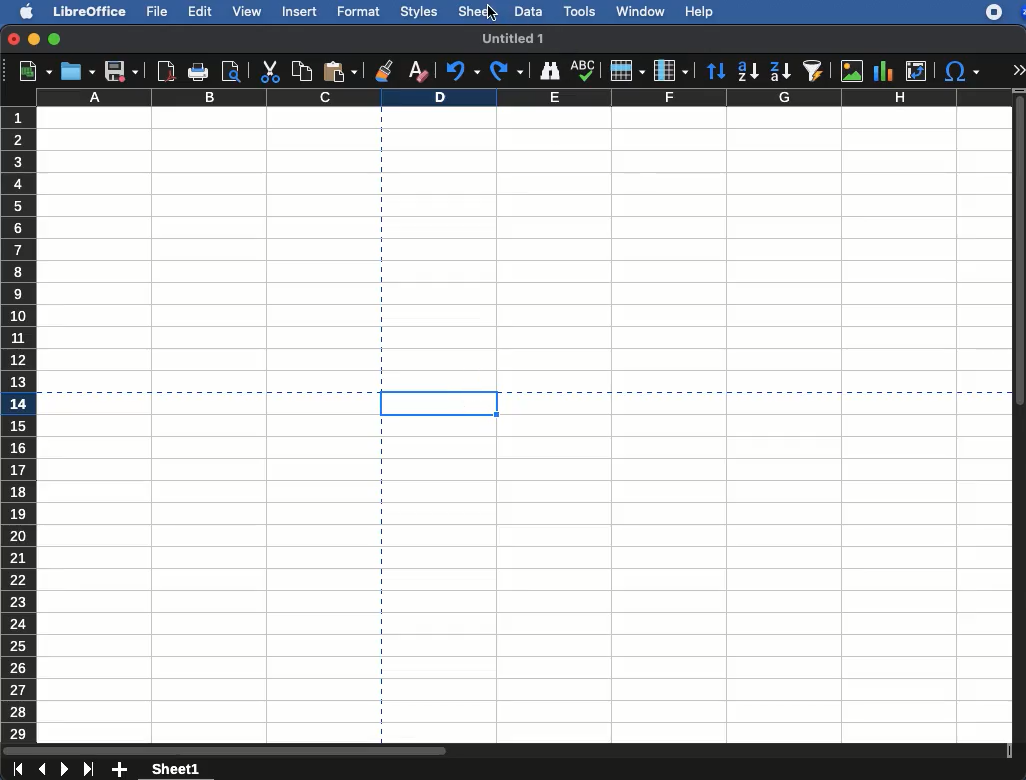 The height and width of the screenshot is (780, 1026). Describe the element at coordinates (122, 71) in the screenshot. I see `save` at that location.